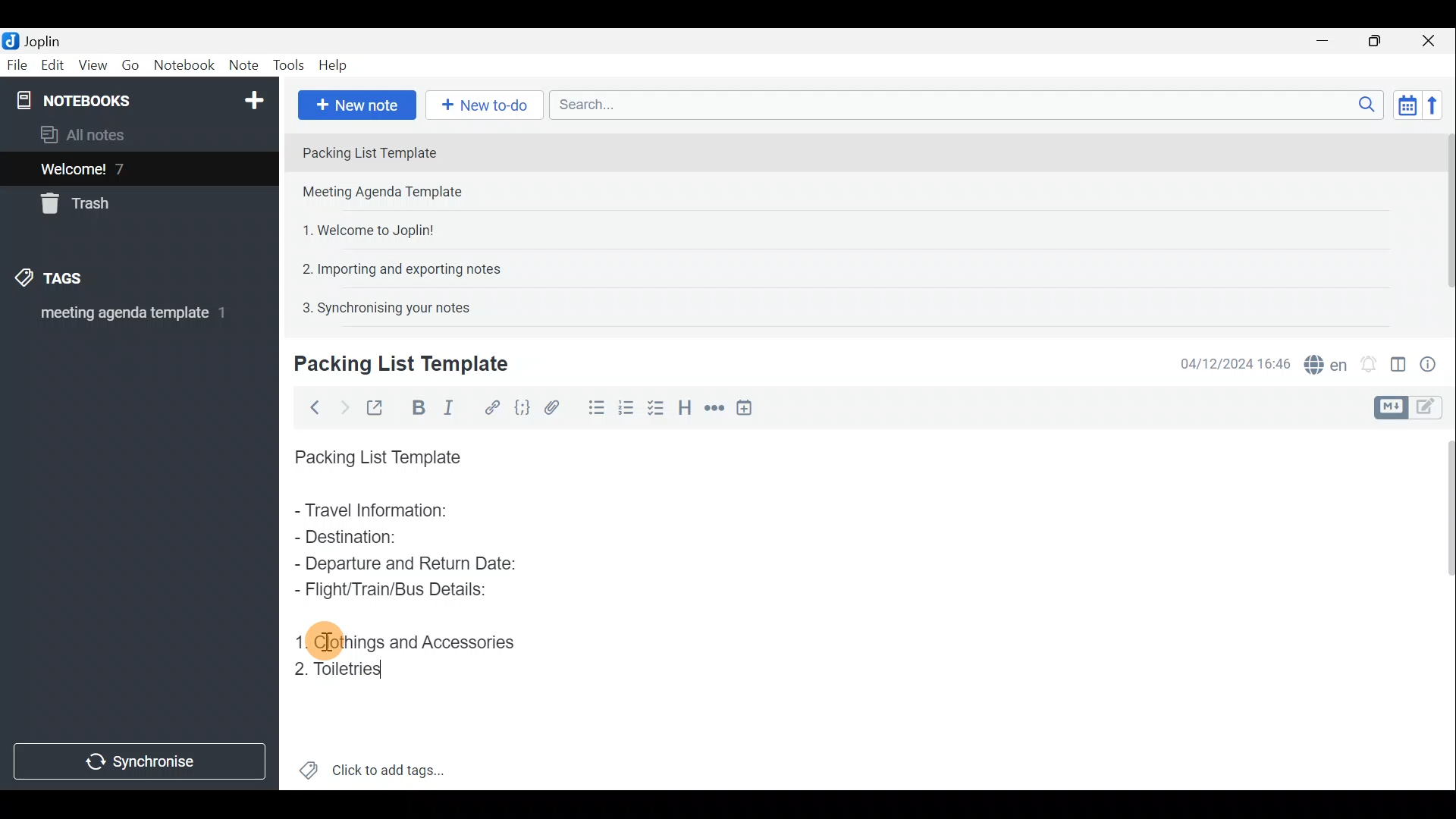 This screenshot has width=1456, height=819. I want to click on Hyperlink, so click(489, 406).